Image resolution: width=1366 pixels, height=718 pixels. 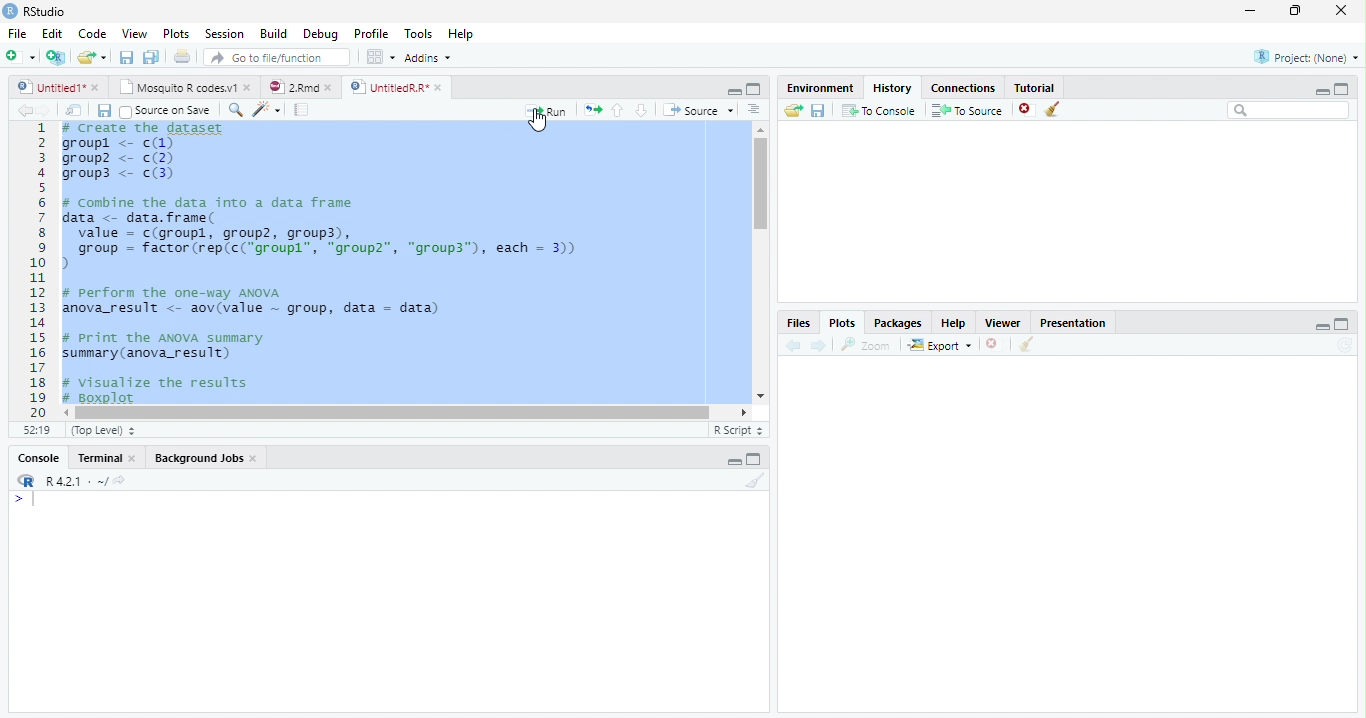 I want to click on R 4.2.1 ~/, so click(x=77, y=481).